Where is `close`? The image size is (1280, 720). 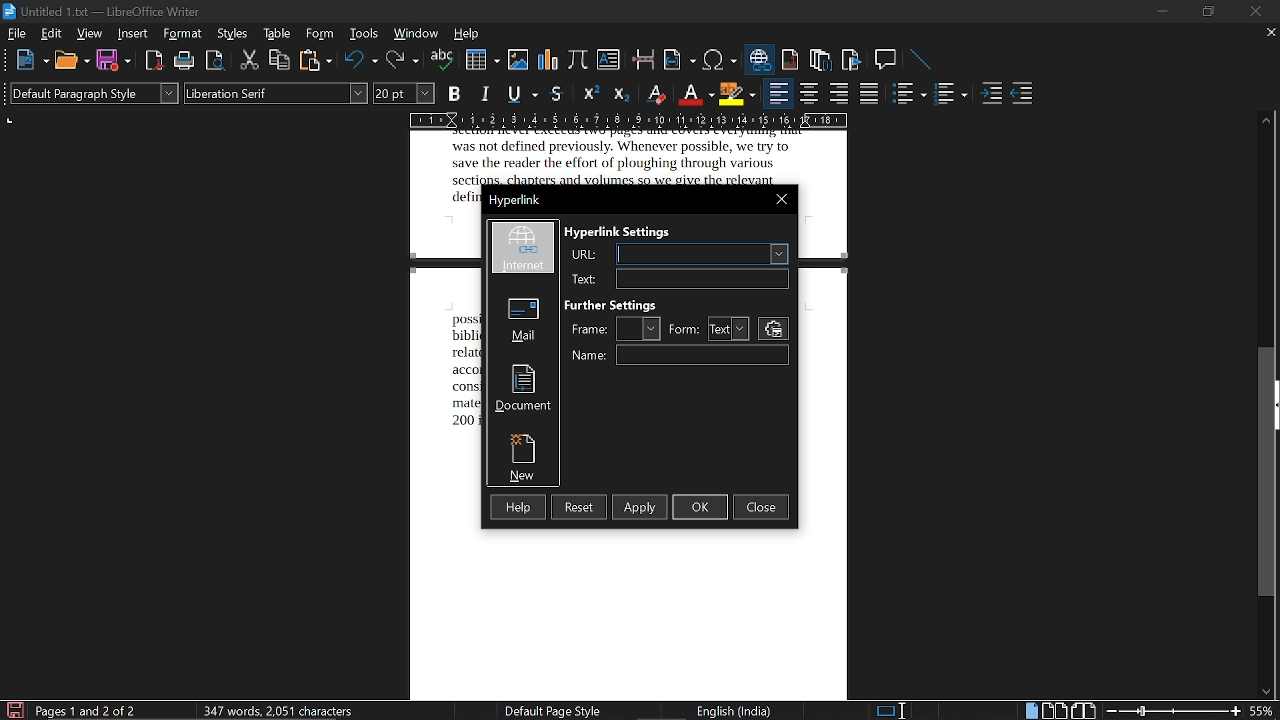 close is located at coordinates (1252, 11).